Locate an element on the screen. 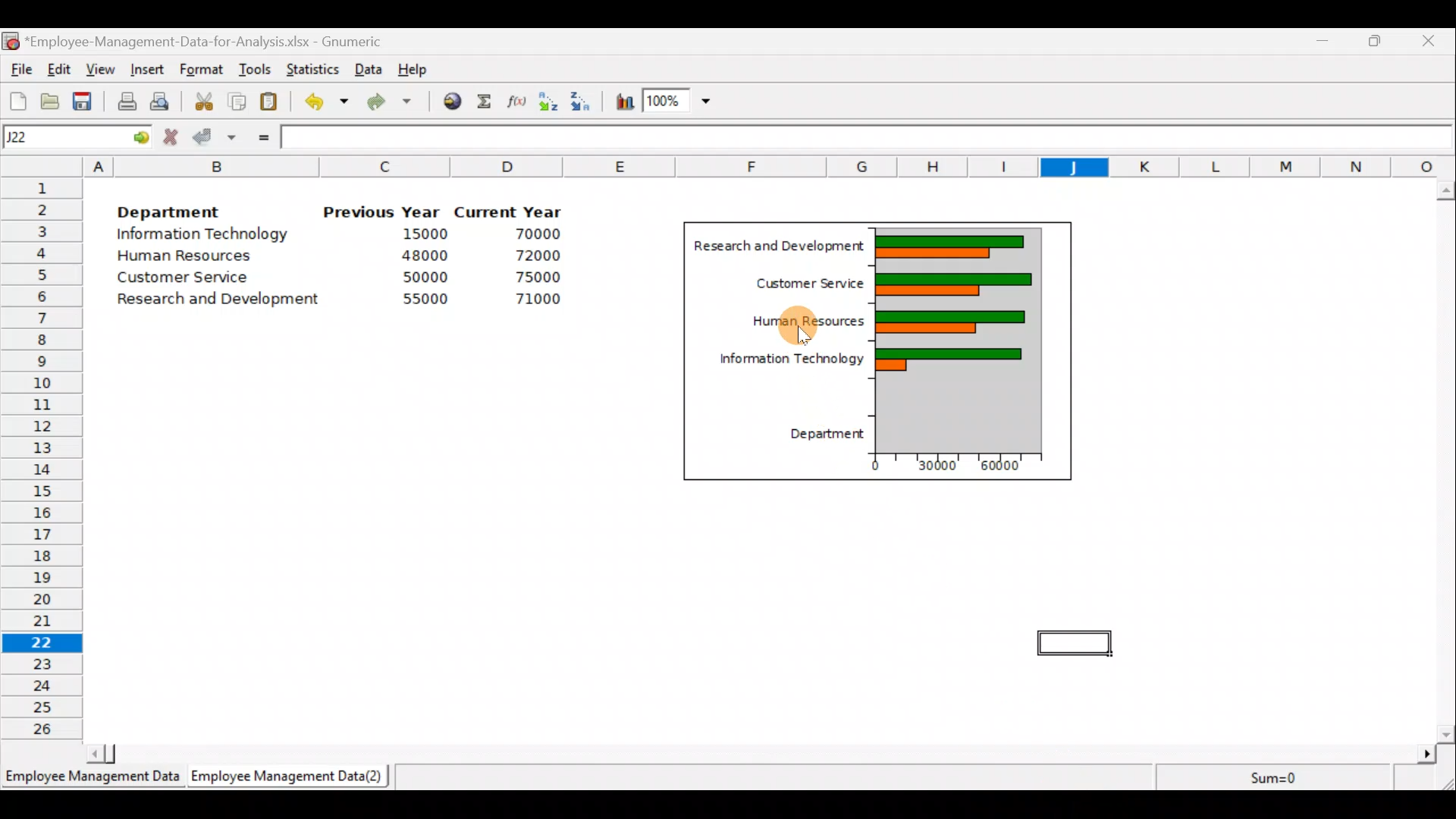  Edit is located at coordinates (61, 68).